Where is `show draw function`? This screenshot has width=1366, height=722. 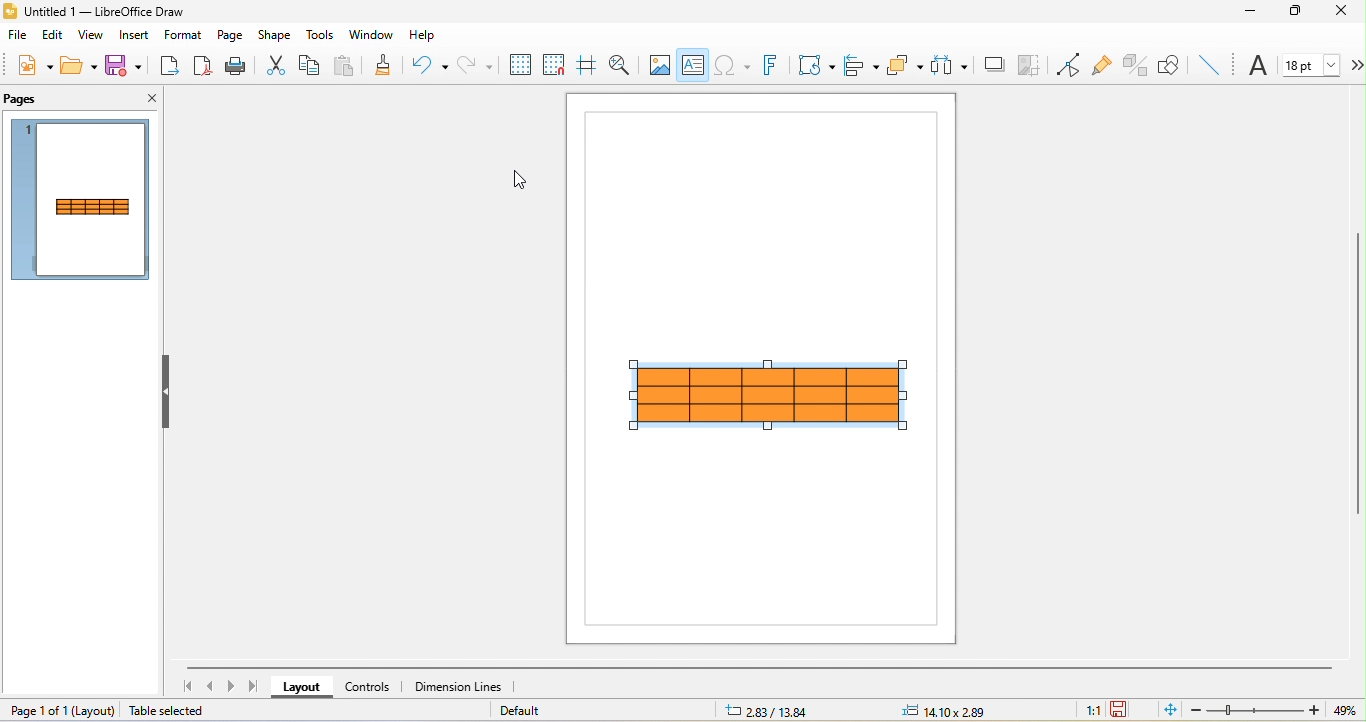
show draw function is located at coordinates (1171, 64).